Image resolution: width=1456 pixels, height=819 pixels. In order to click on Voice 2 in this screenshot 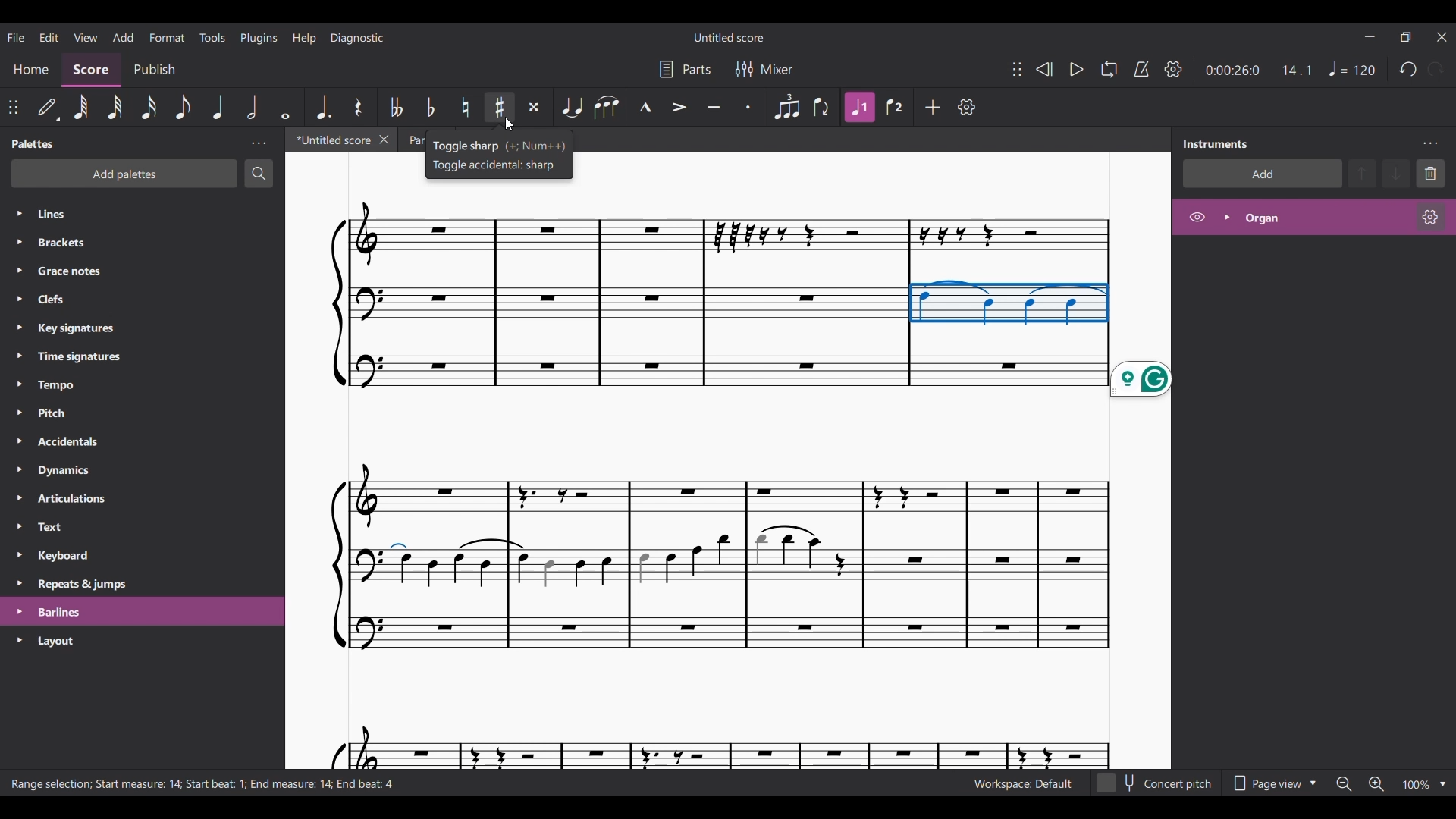, I will do `click(893, 107)`.